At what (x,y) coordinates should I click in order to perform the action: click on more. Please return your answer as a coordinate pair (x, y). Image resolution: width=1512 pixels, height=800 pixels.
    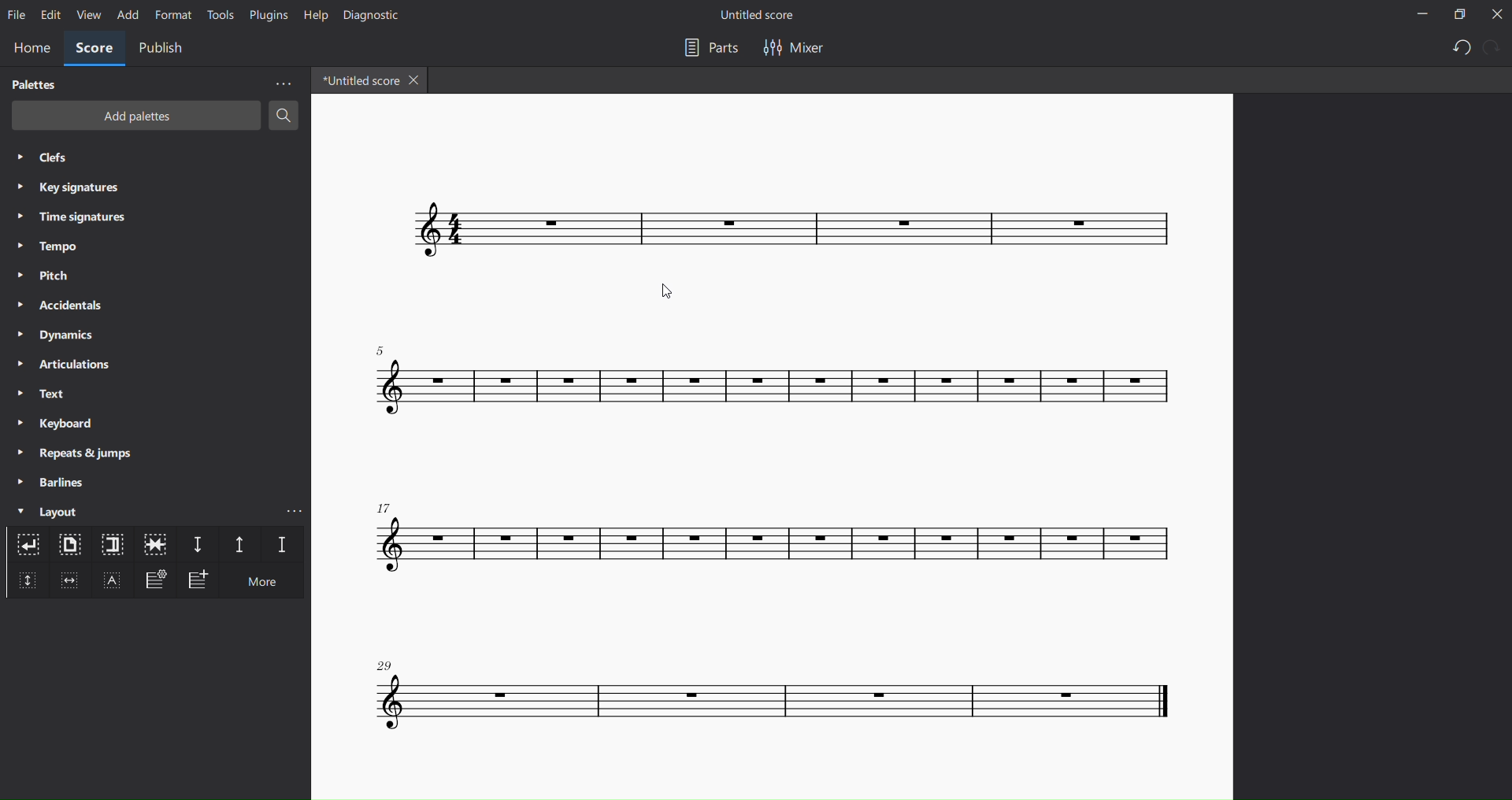
    Looking at the image, I should click on (282, 83).